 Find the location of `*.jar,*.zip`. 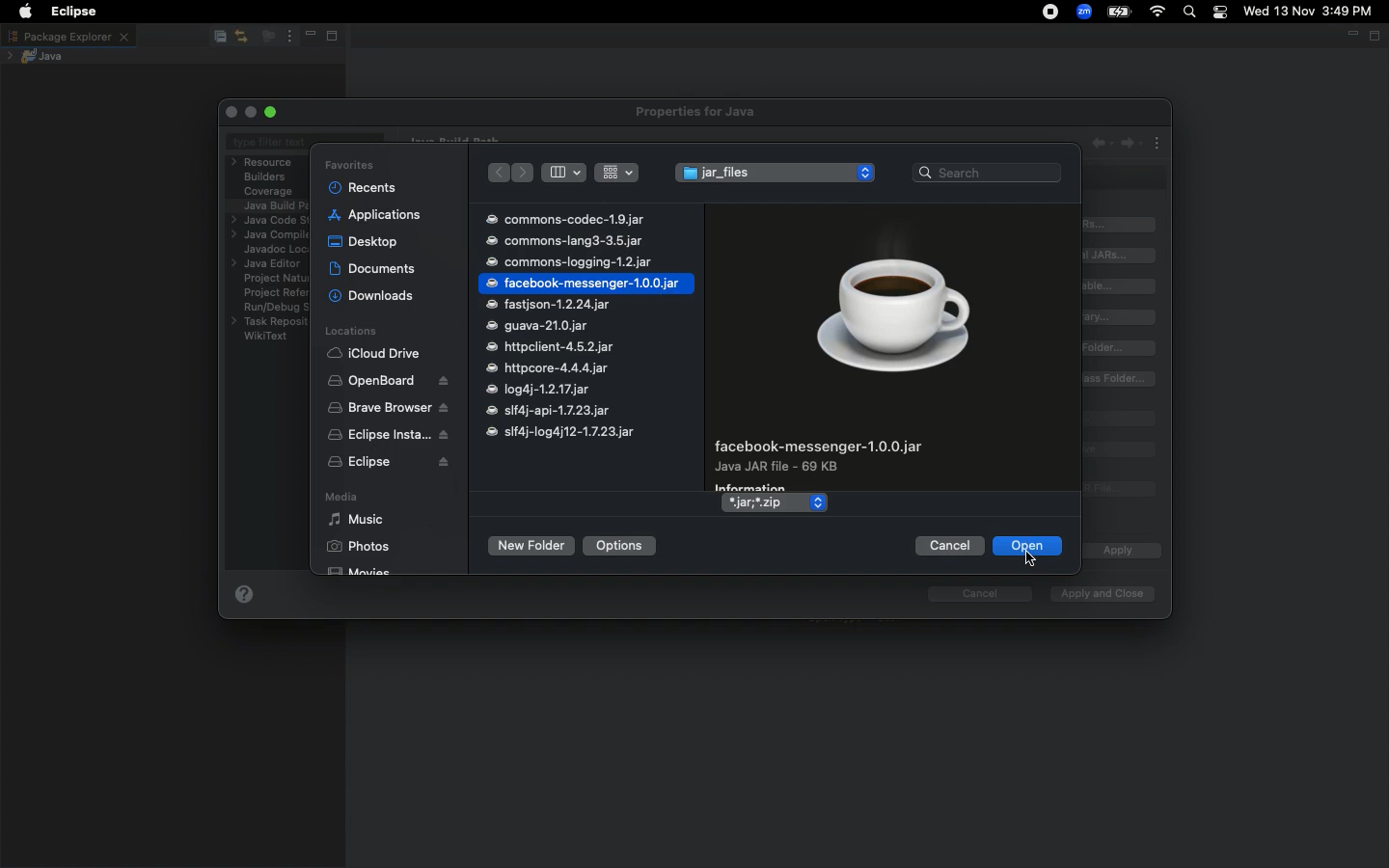

*.jar,*.zip is located at coordinates (763, 502).